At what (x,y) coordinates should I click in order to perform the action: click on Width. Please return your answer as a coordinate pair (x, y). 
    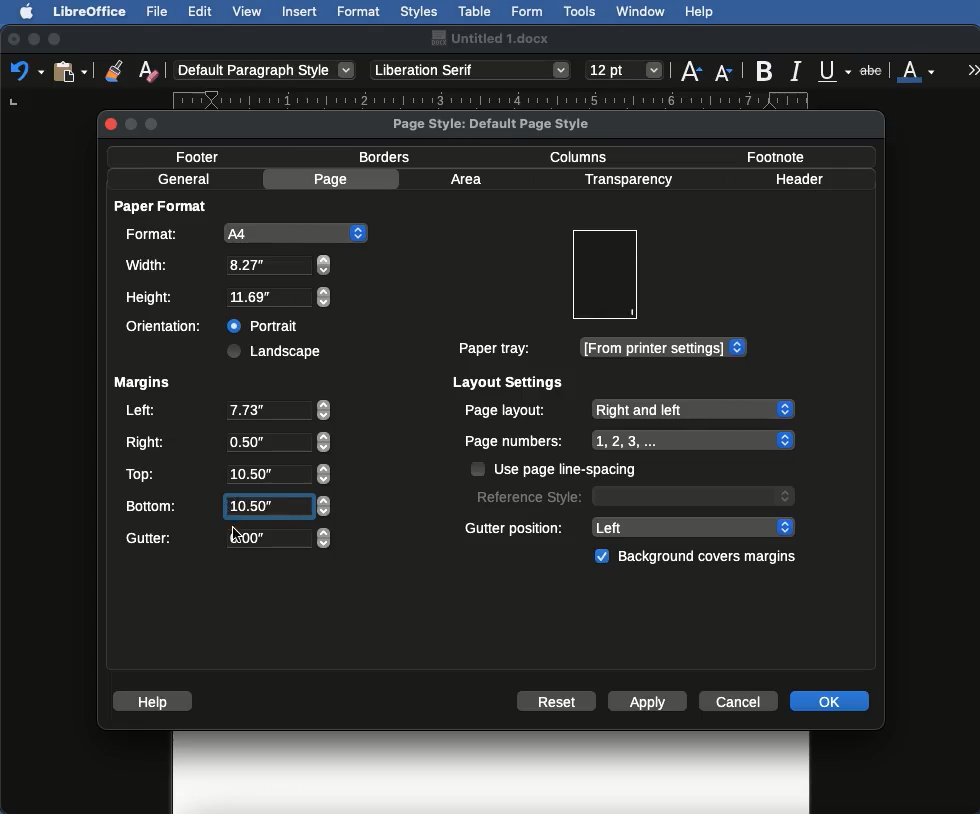
    Looking at the image, I should click on (227, 265).